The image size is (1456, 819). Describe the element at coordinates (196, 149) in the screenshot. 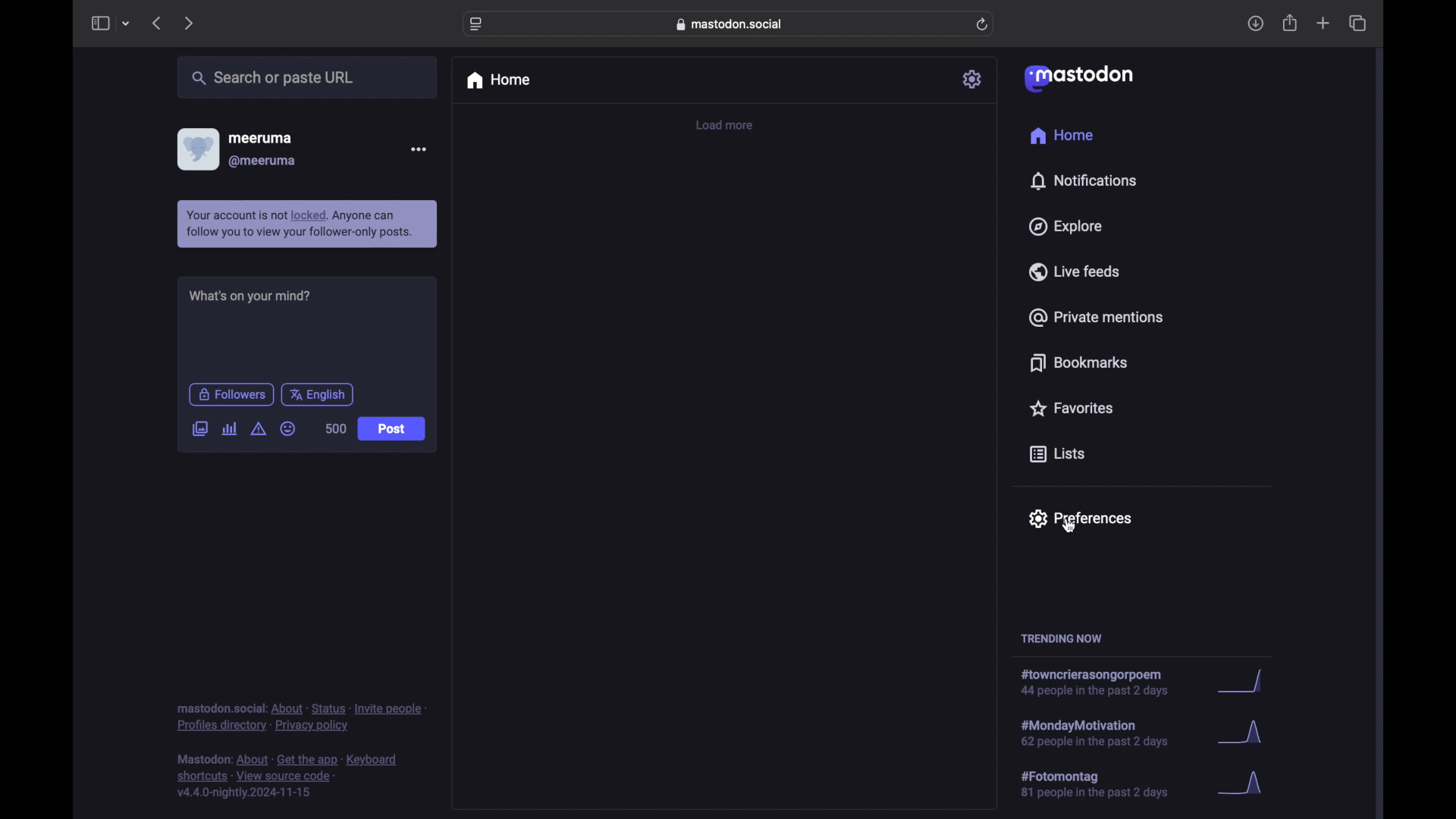

I see `diplsay picture` at that location.